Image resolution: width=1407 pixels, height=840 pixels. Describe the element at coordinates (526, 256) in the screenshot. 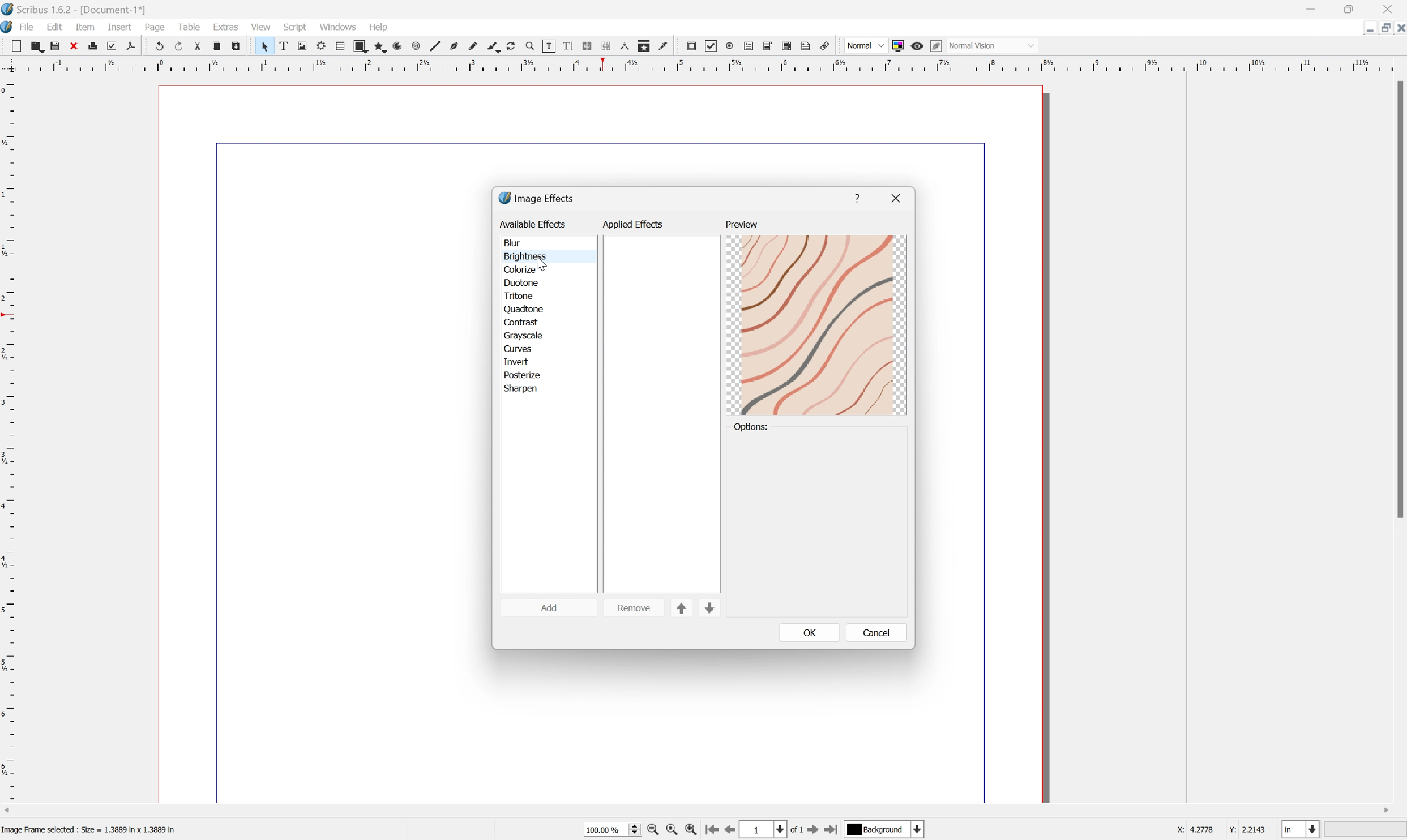

I see `brightness` at that location.